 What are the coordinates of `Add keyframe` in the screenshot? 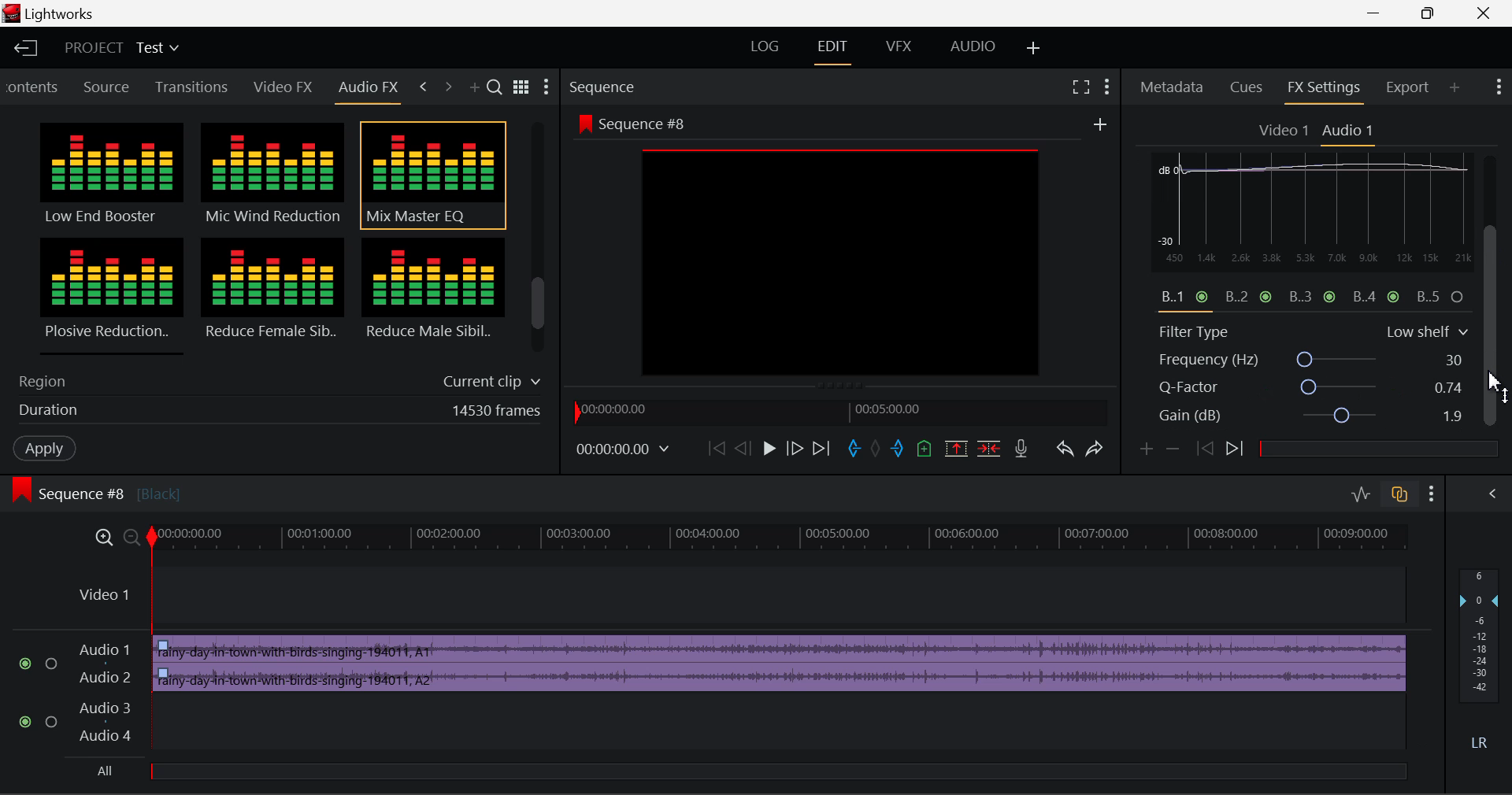 It's located at (1143, 452).